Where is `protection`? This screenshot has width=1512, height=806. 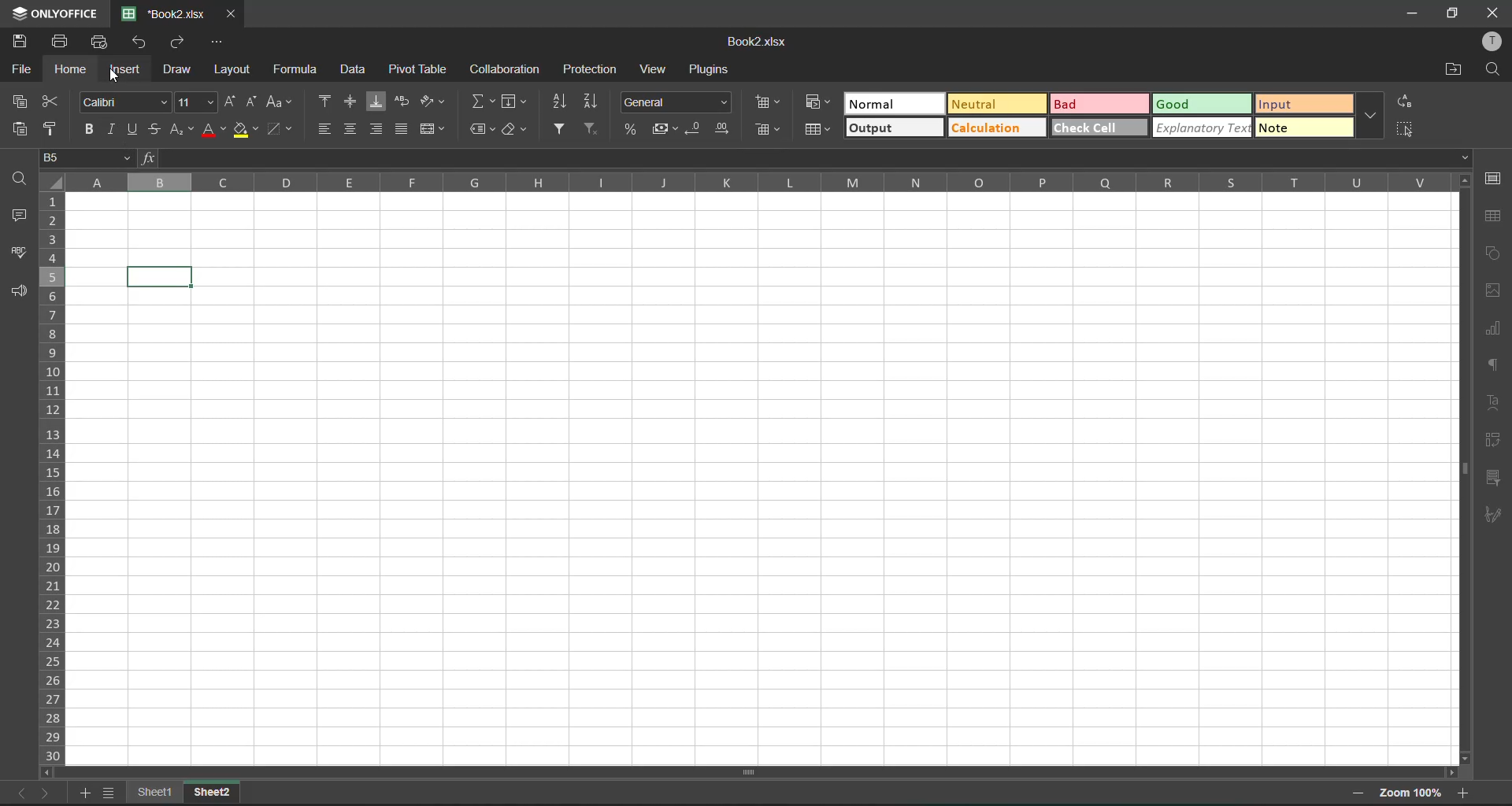
protection is located at coordinates (589, 71).